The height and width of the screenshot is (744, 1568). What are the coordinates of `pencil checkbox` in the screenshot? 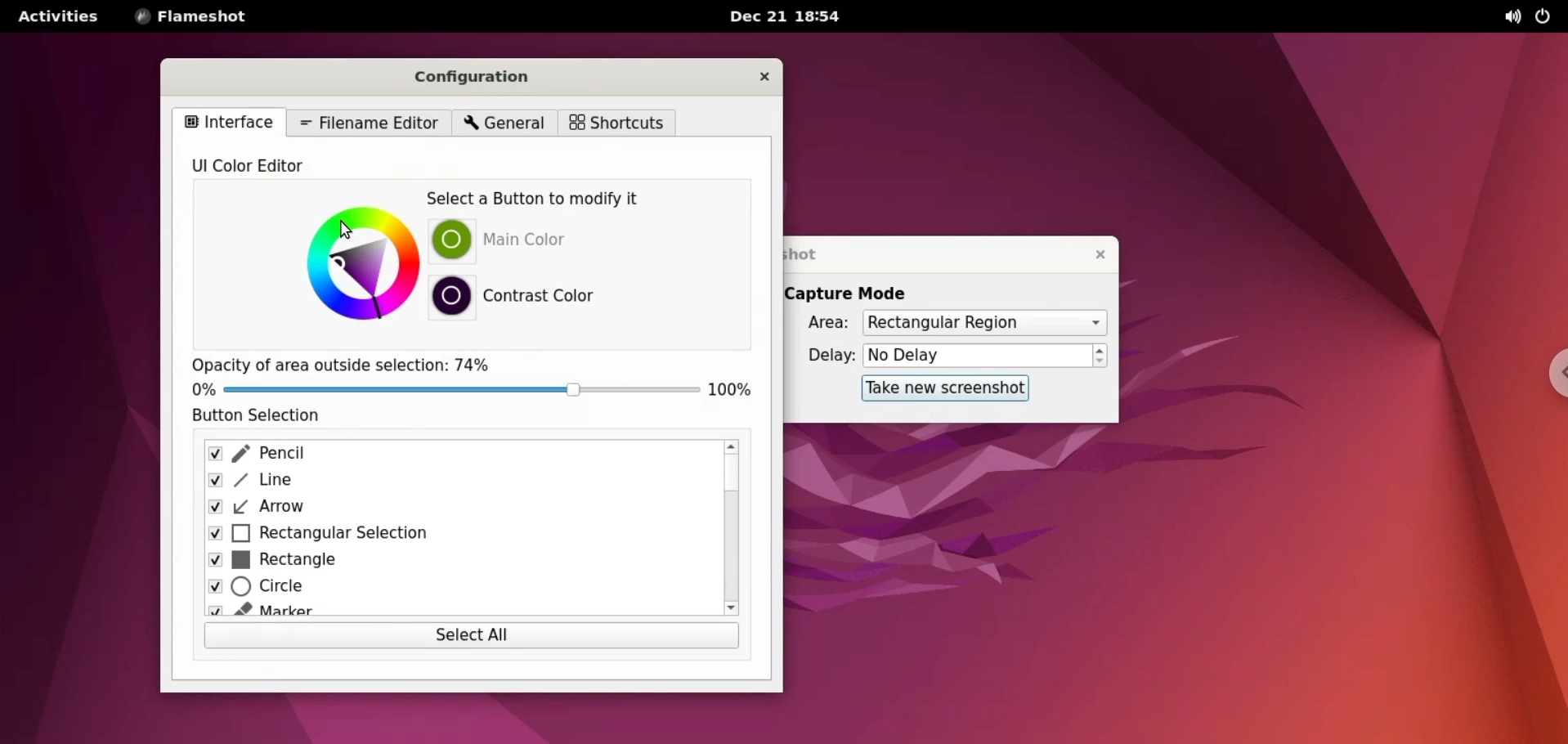 It's located at (452, 453).